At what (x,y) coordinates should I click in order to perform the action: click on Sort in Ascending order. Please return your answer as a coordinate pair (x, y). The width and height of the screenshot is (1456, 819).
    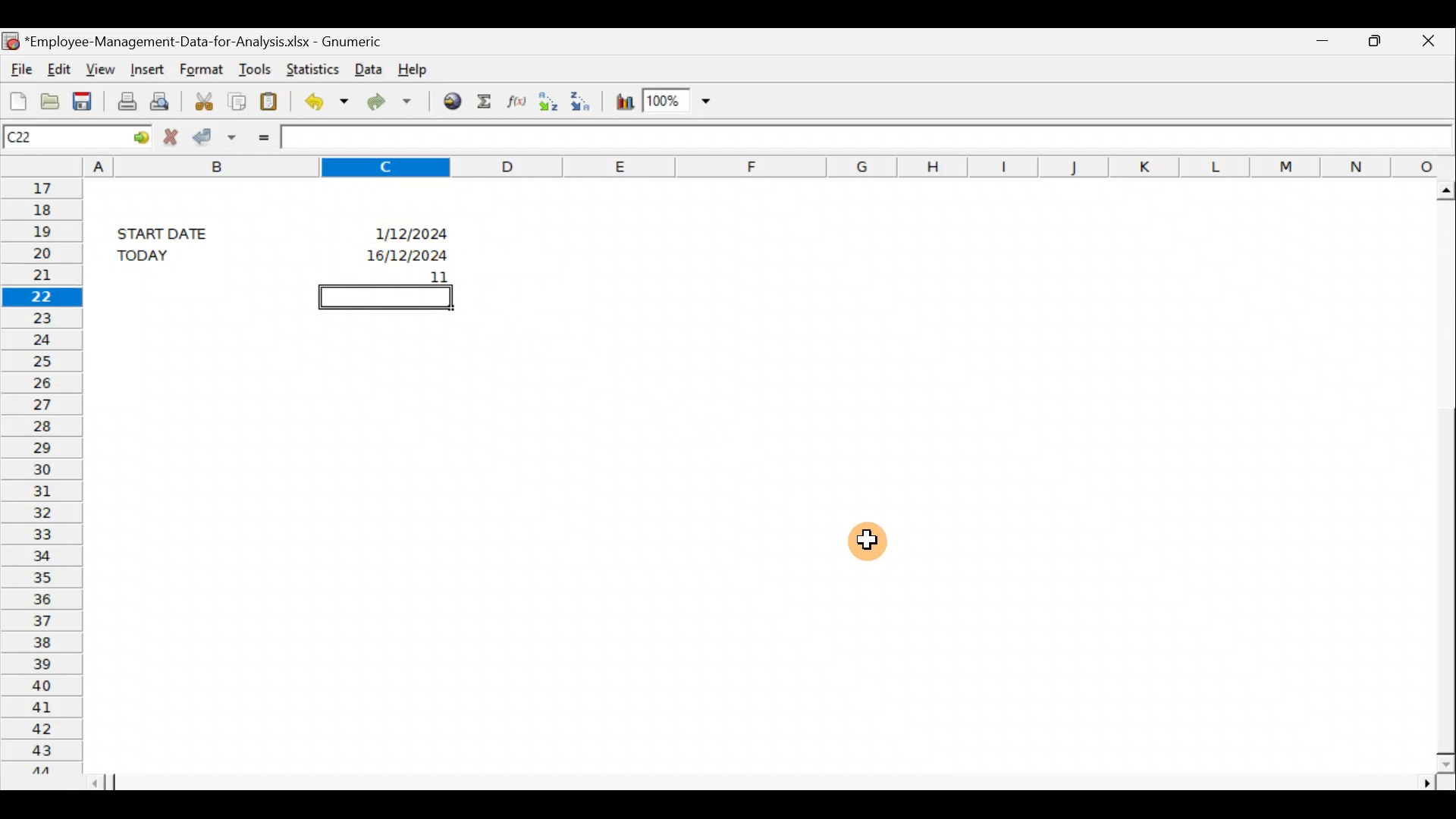
    Looking at the image, I should click on (547, 102).